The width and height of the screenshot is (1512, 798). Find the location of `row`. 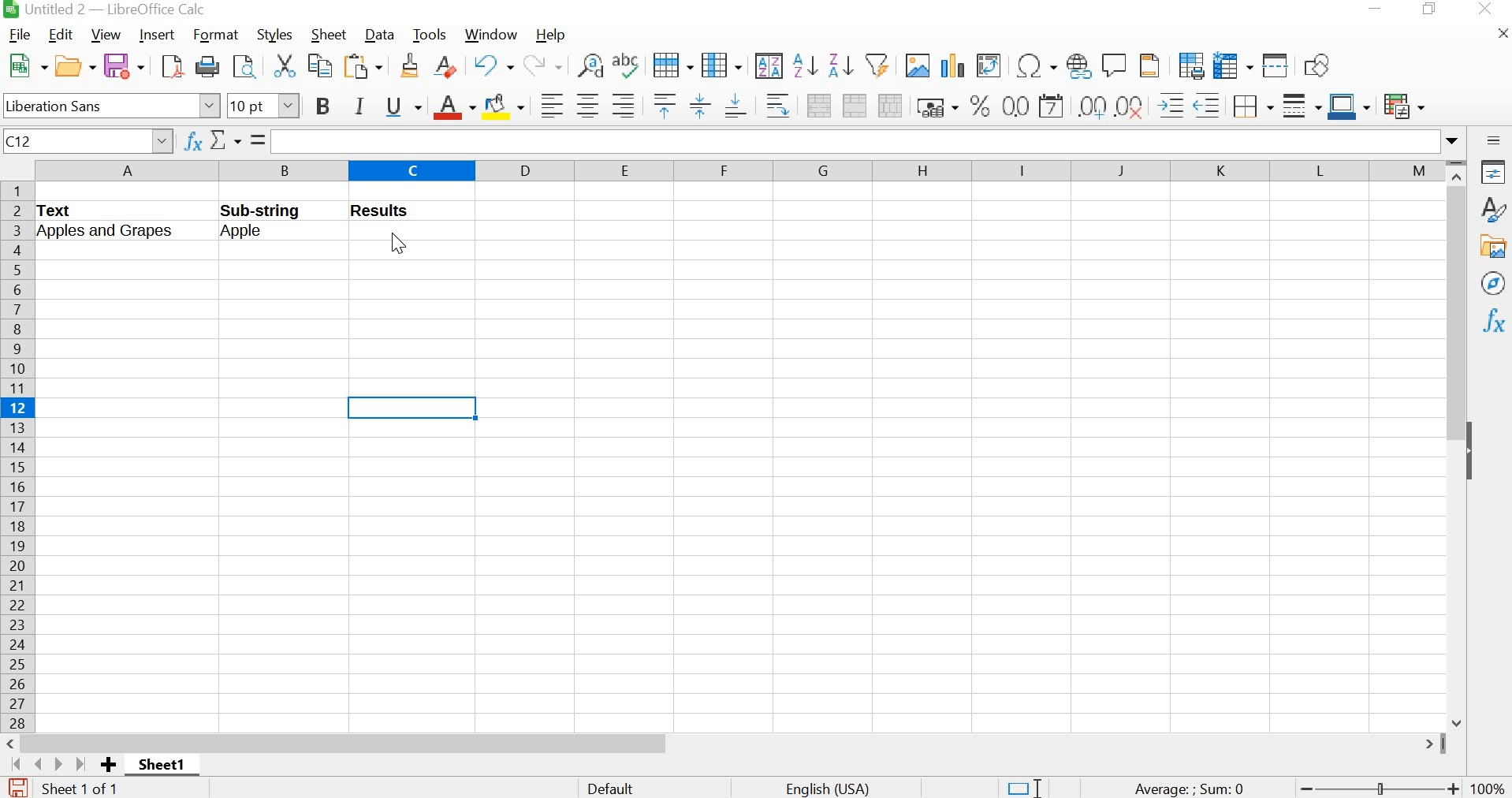

row is located at coordinates (671, 63).